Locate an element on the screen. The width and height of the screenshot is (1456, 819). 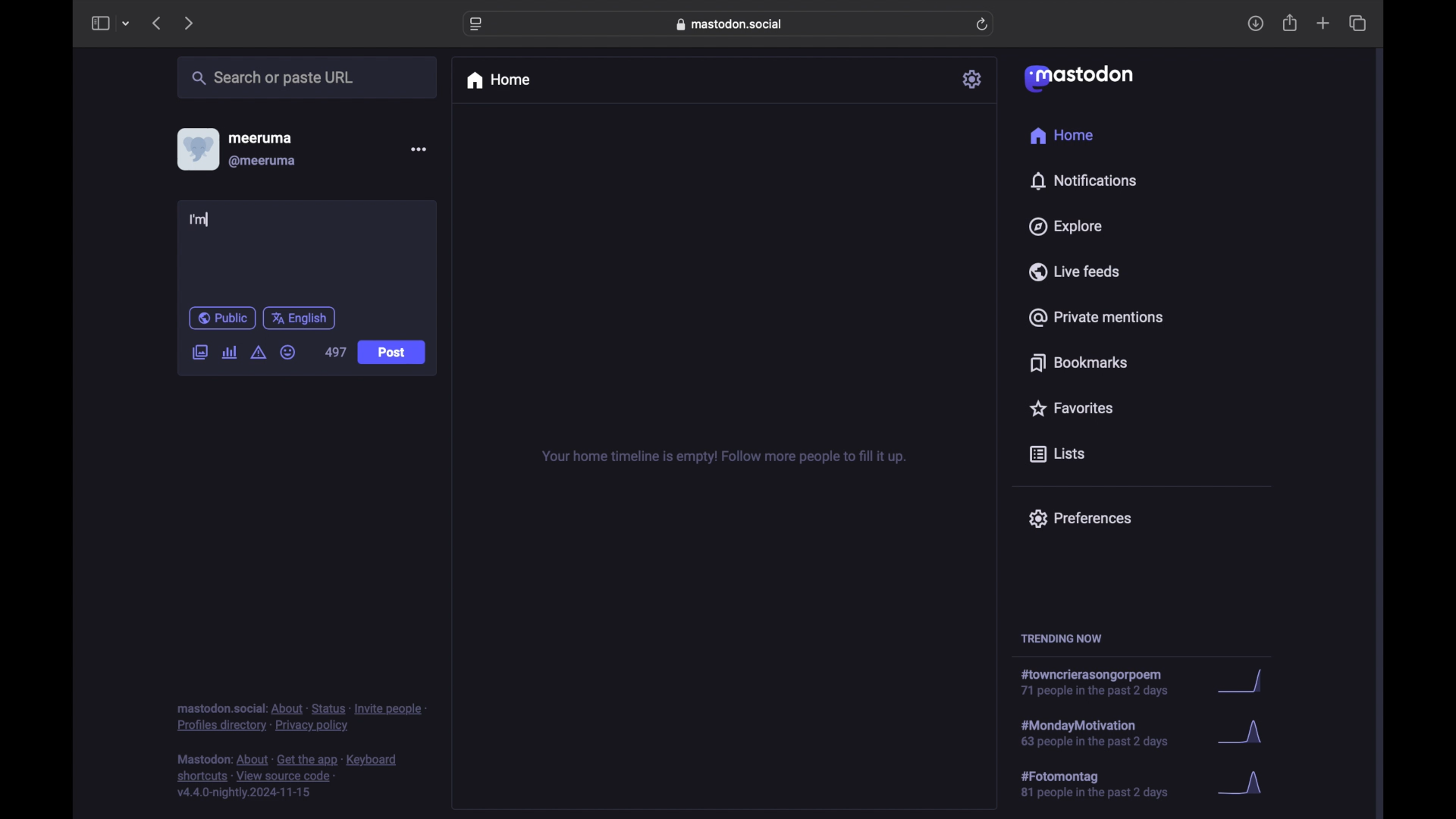
share is located at coordinates (1291, 23).